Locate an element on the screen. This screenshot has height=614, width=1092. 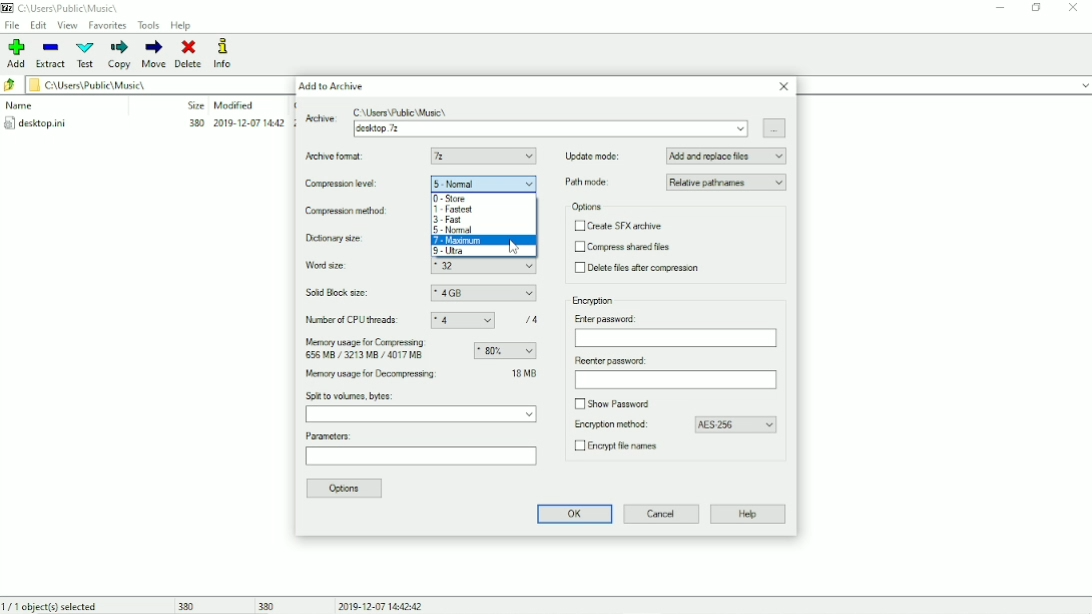
/4 is located at coordinates (533, 319).